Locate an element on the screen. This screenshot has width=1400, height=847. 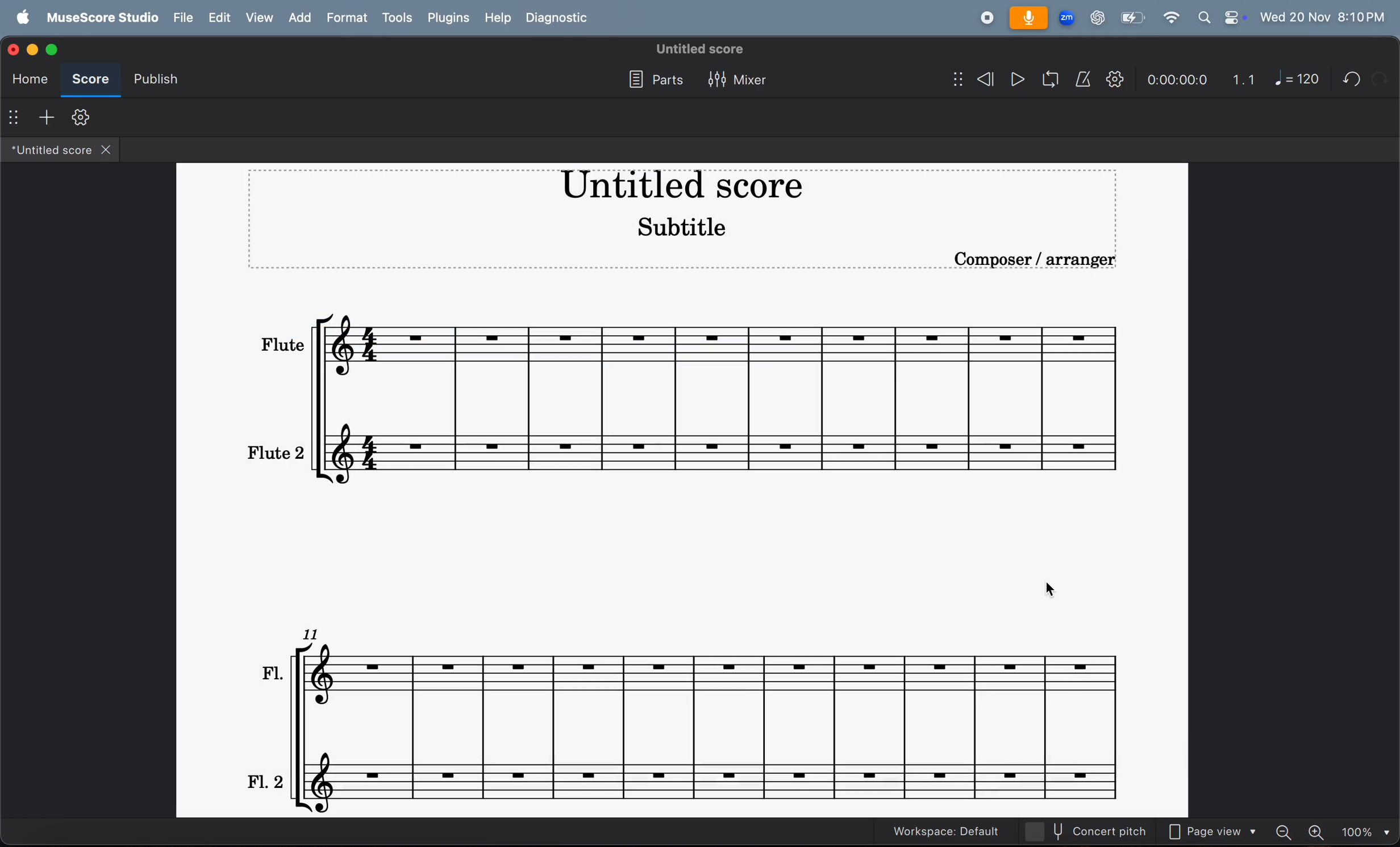
search is located at coordinates (1204, 16).